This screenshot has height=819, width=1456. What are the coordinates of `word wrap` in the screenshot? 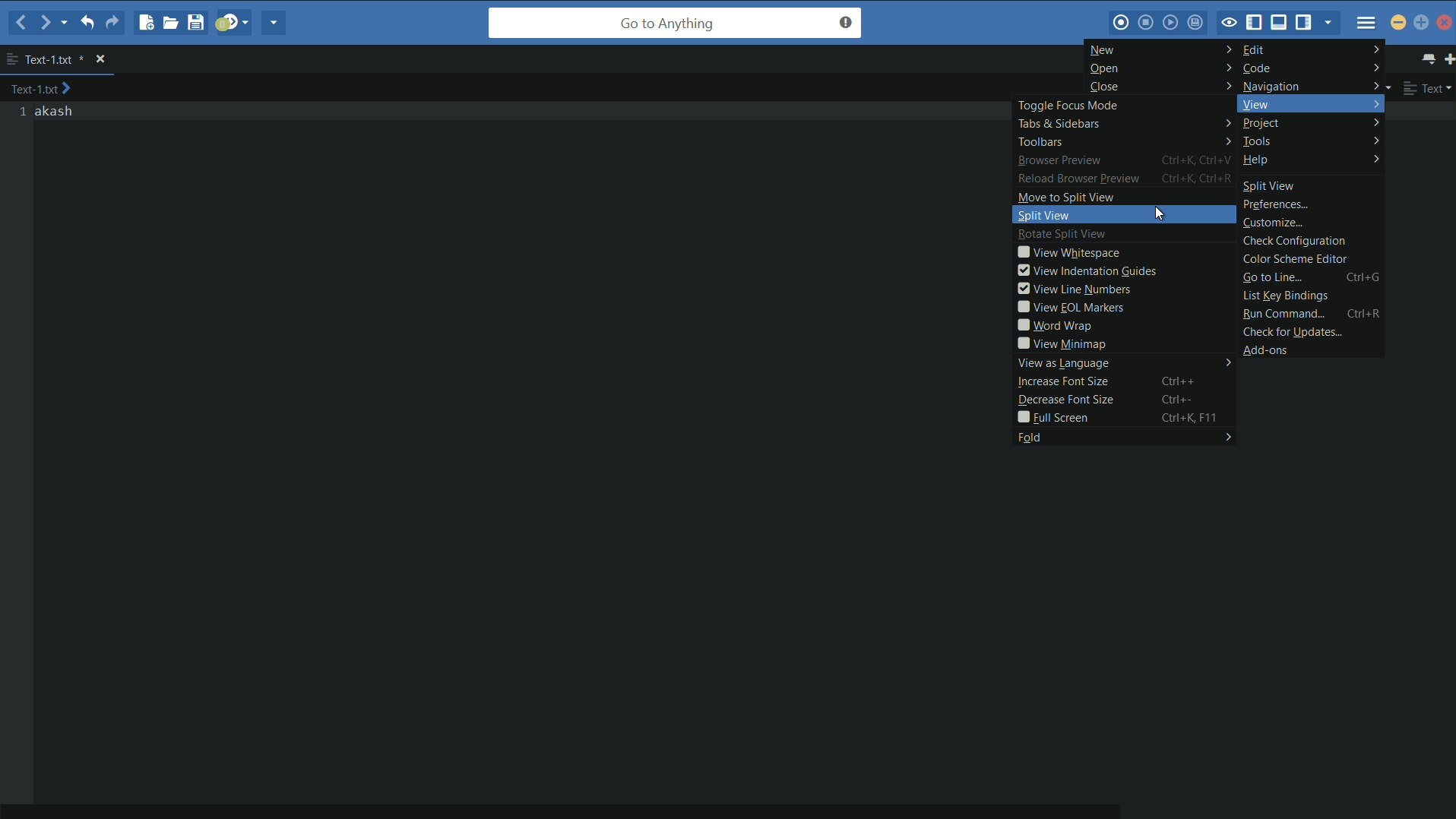 It's located at (1125, 325).